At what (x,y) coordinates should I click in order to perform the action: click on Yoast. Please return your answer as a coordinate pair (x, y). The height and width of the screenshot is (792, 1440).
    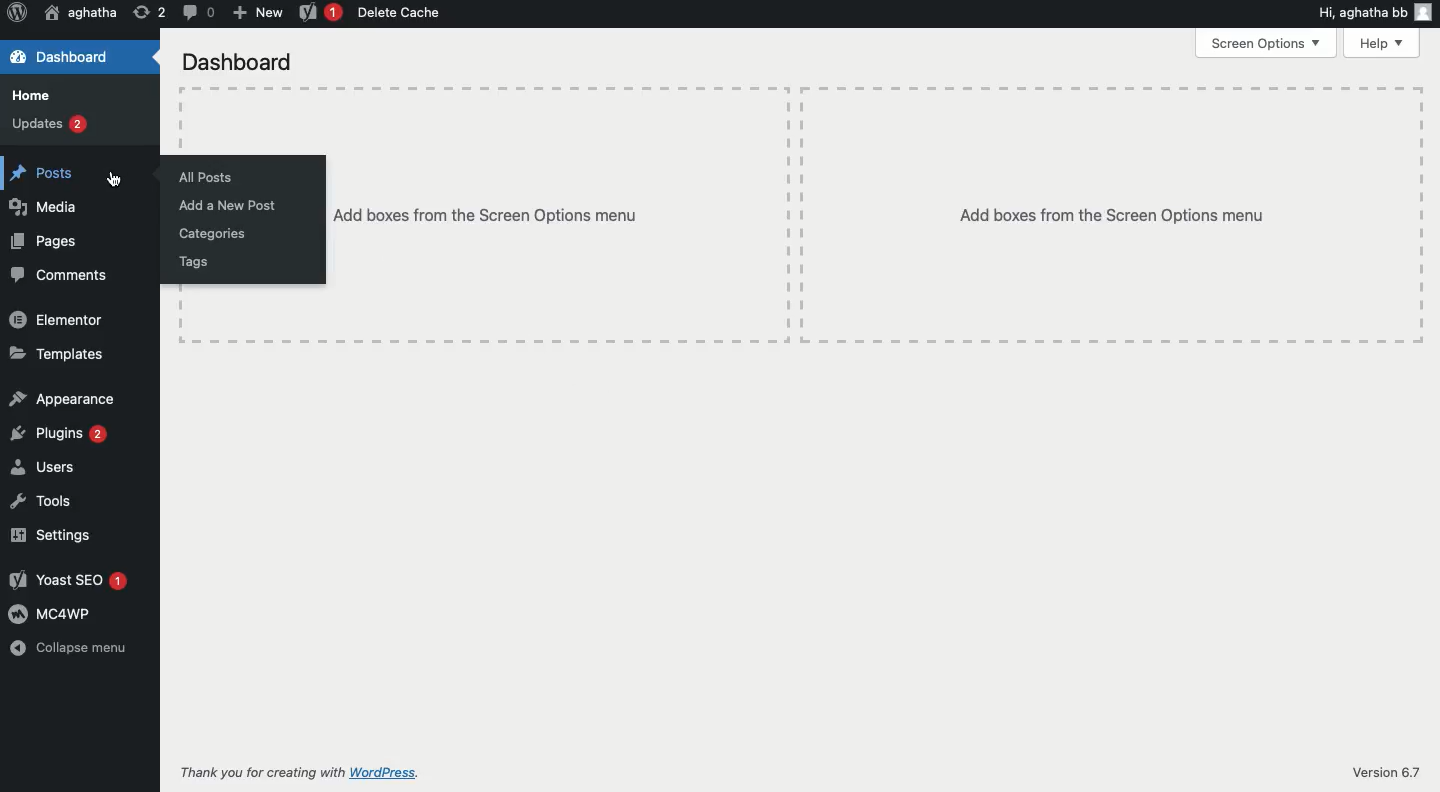
    Looking at the image, I should click on (320, 13).